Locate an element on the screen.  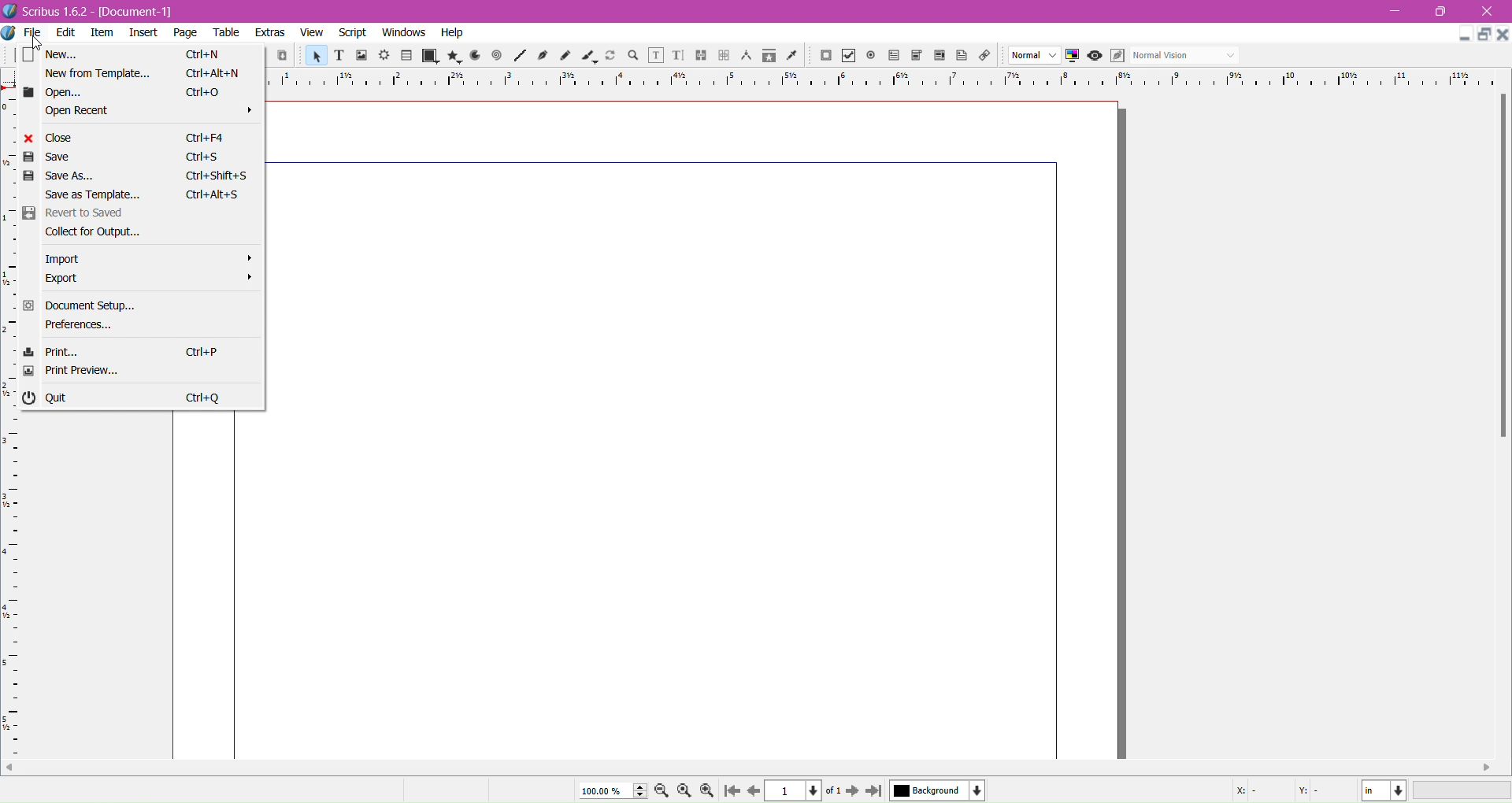
Restore Down Document is located at coordinates (1484, 35).